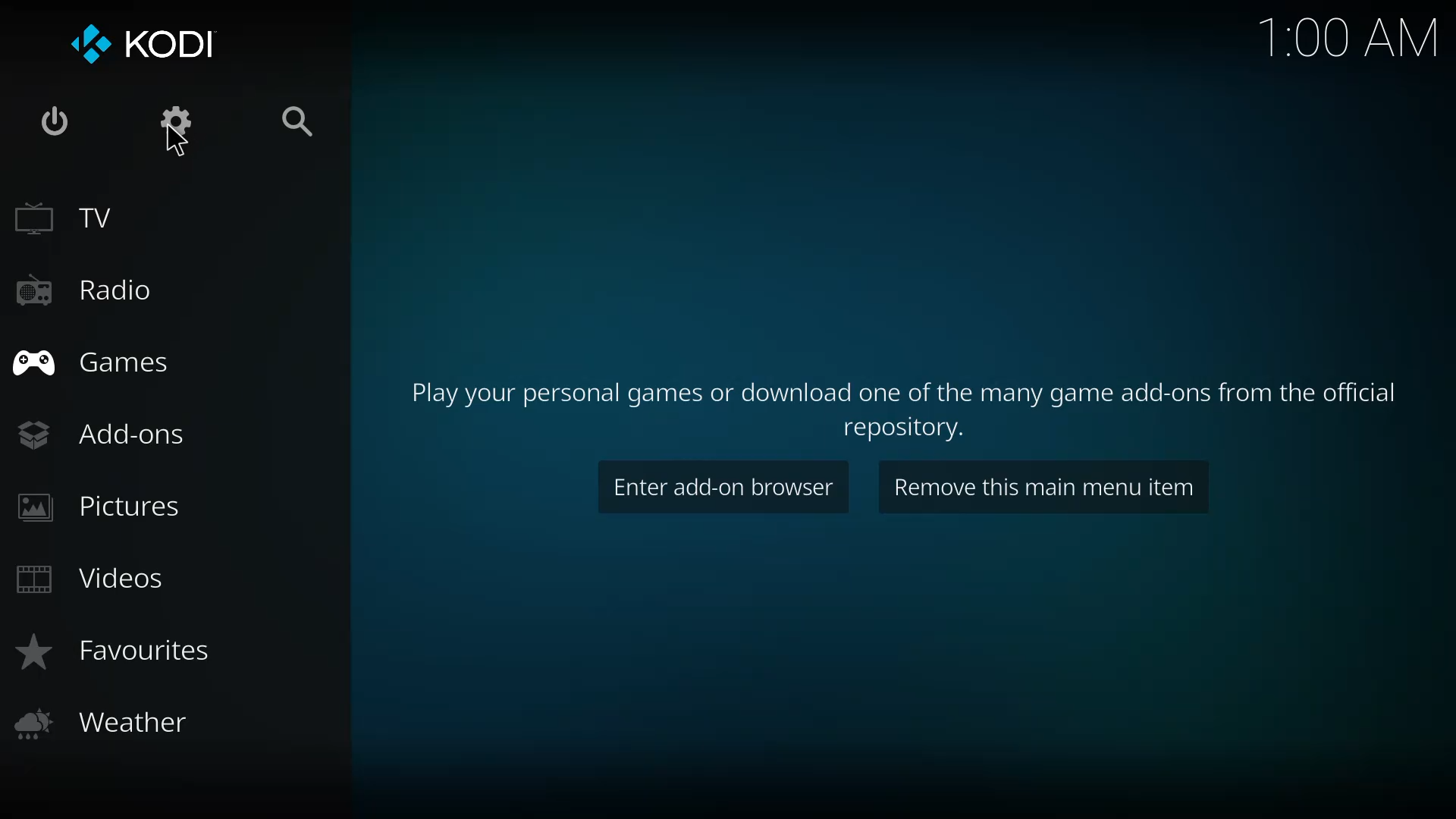 Image resolution: width=1456 pixels, height=819 pixels. I want to click on kodi, so click(146, 43).